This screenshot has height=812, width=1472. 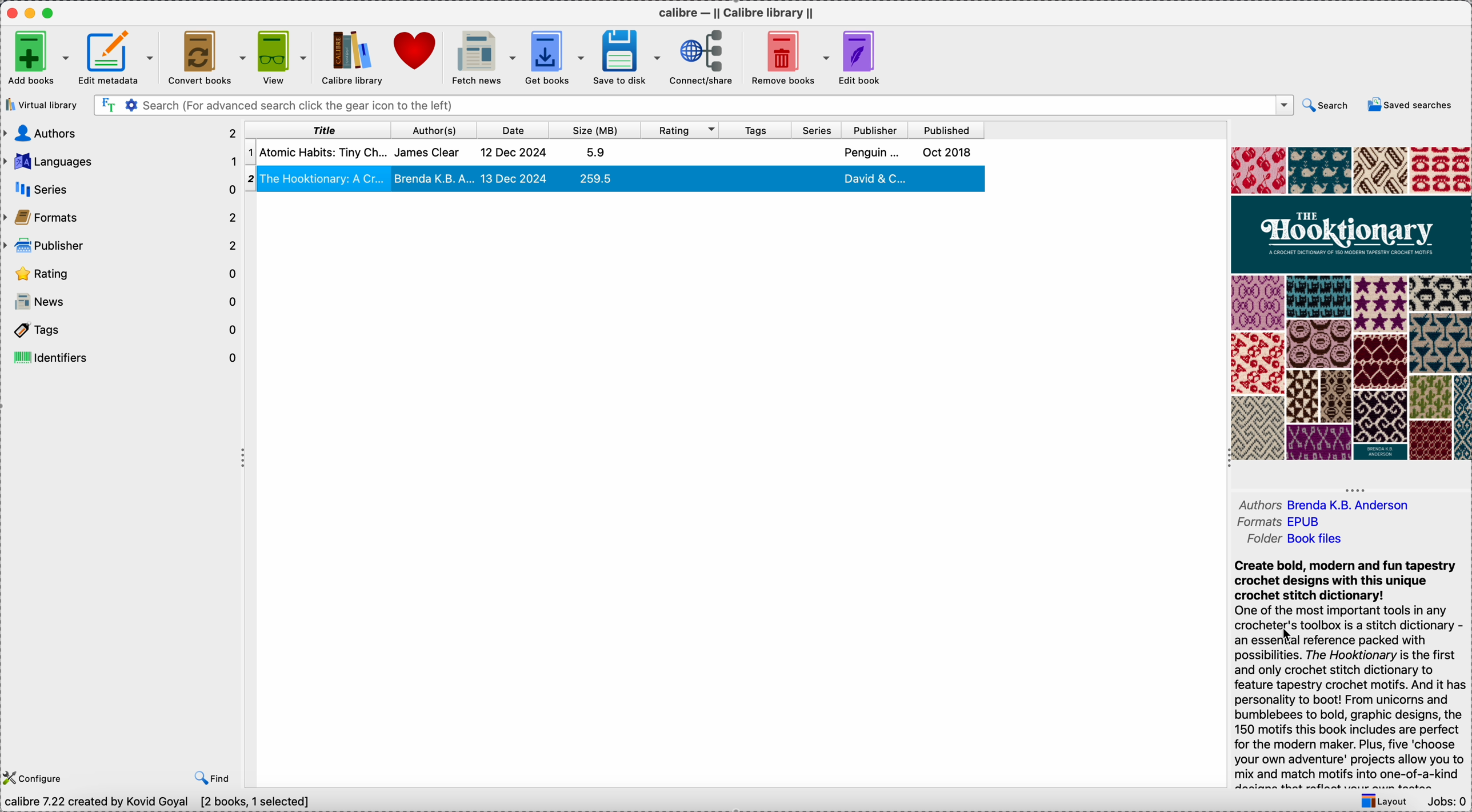 What do you see at coordinates (210, 58) in the screenshot?
I see `convert books` at bounding box center [210, 58].